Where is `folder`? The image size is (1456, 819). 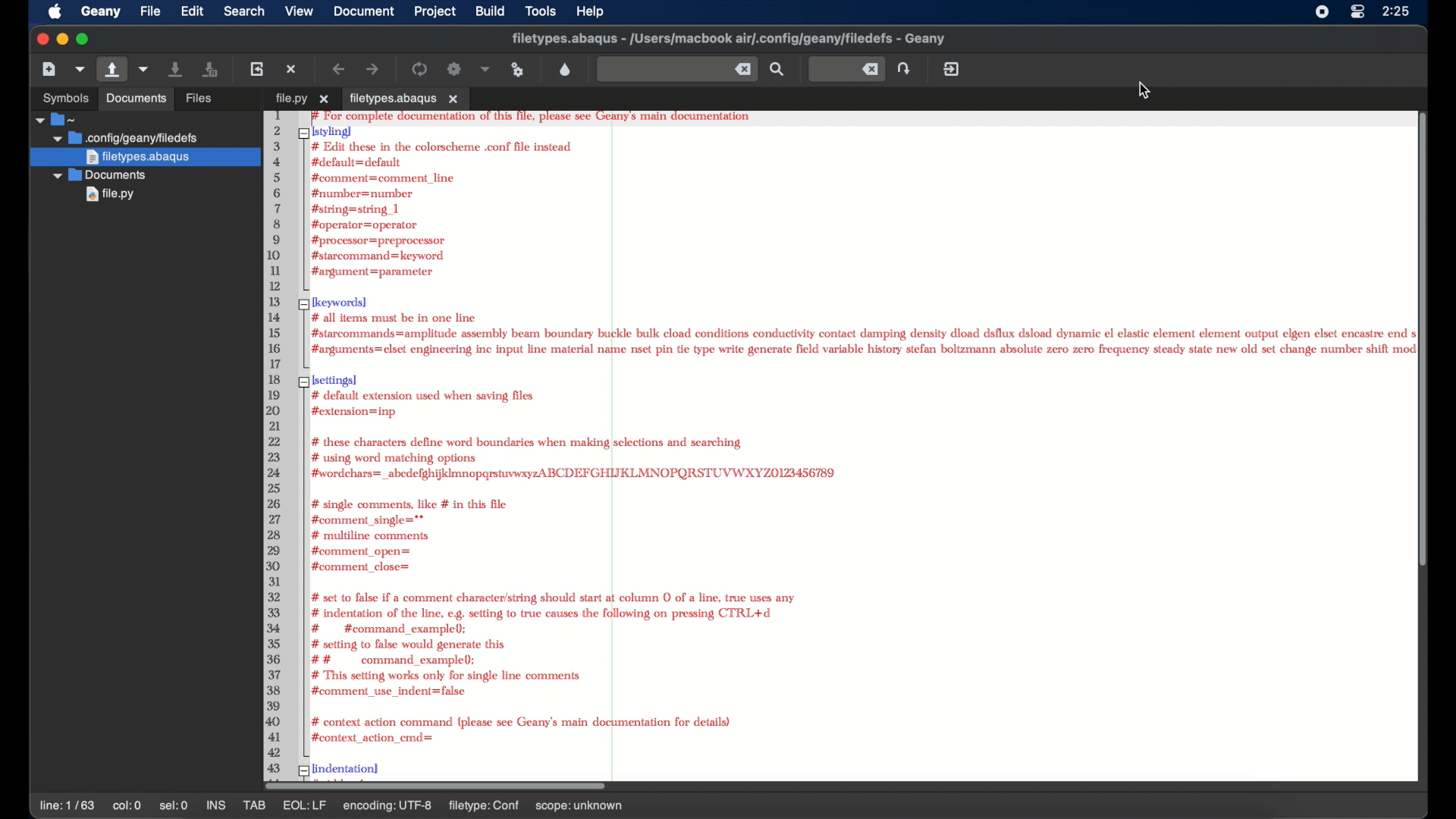 folder is located at coordinates (56, 119).